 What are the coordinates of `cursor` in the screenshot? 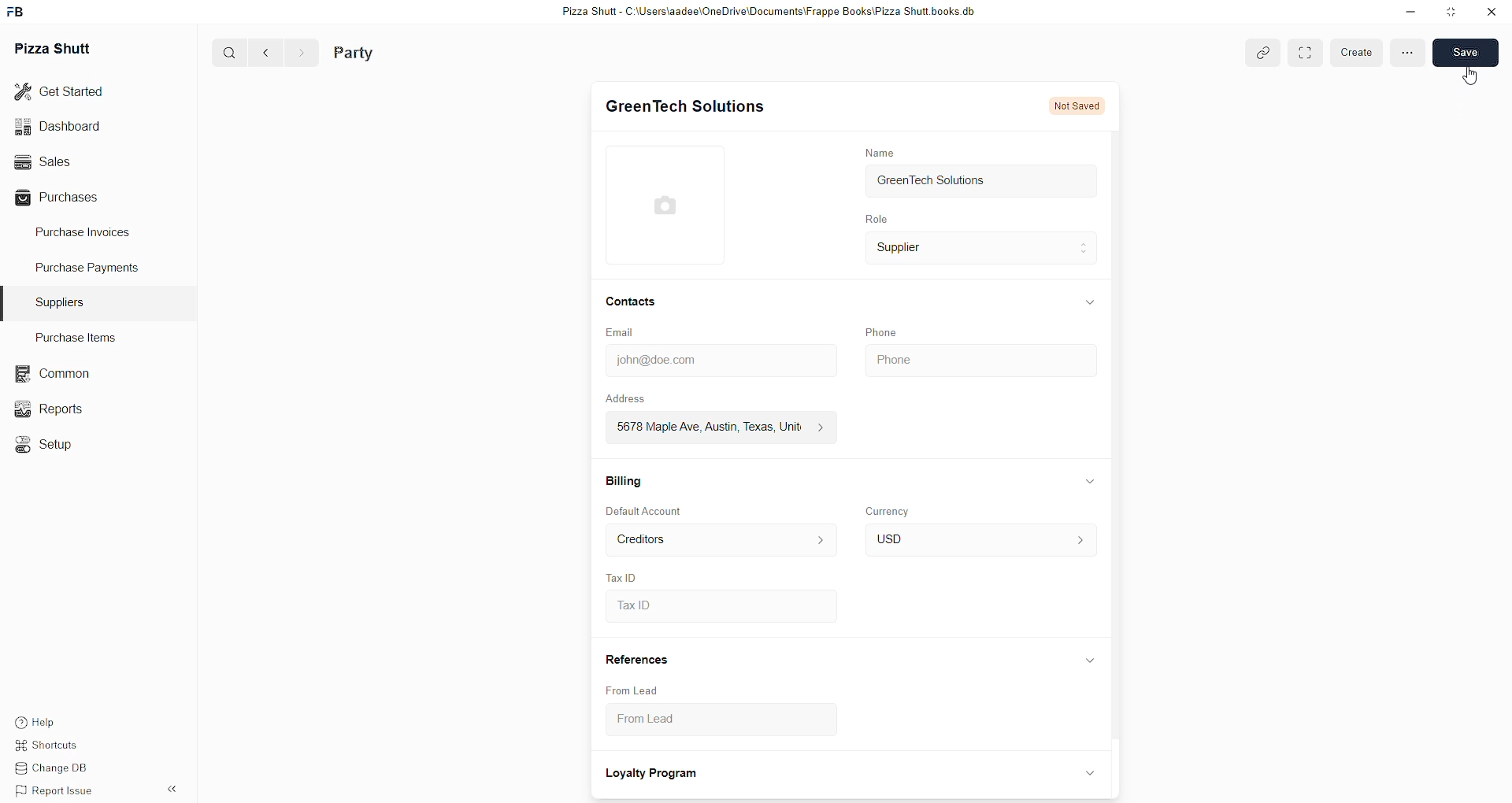 It's located at (1471, 77).